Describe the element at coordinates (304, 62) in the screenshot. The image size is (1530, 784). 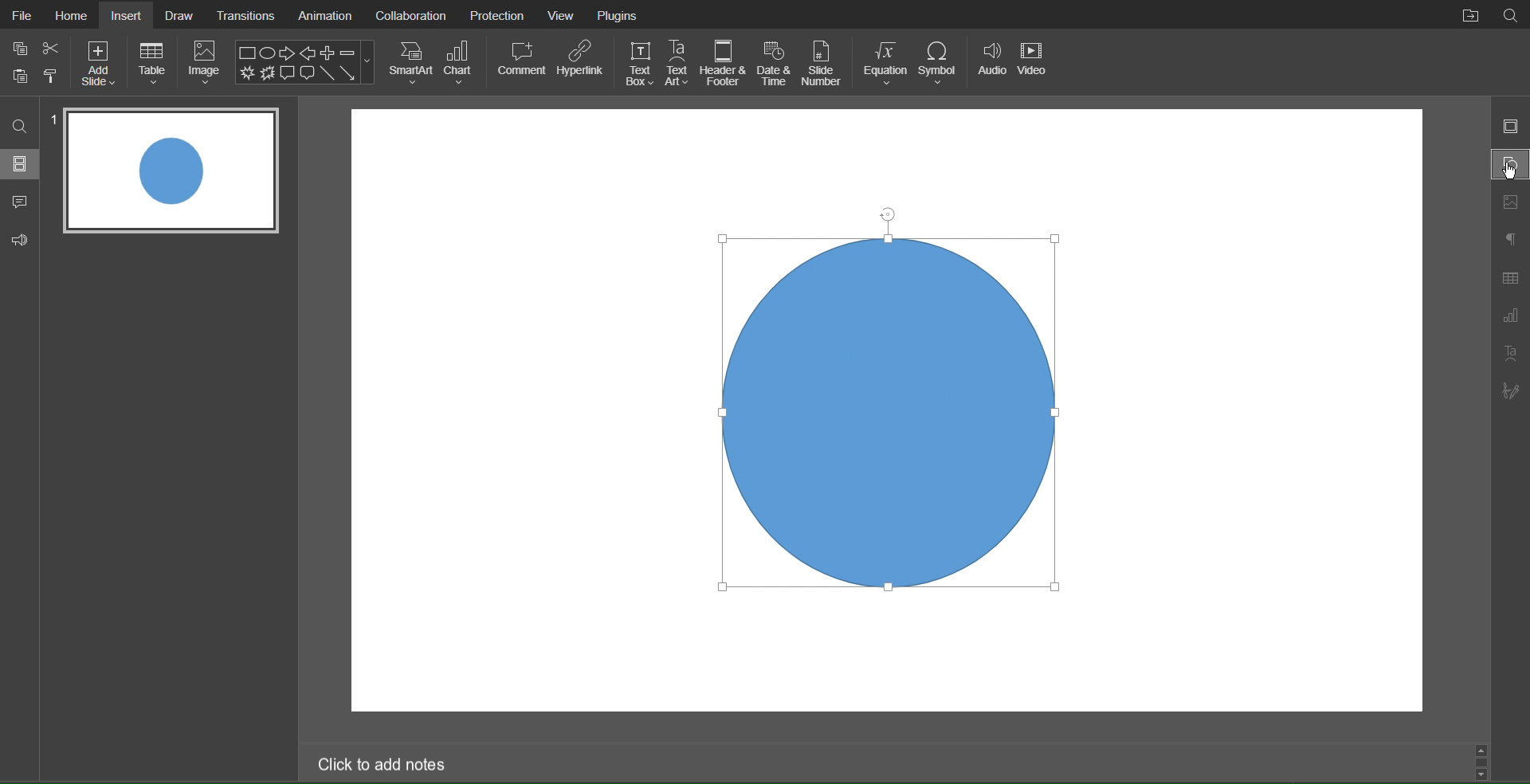
I see `Shapes Menu` at that location.